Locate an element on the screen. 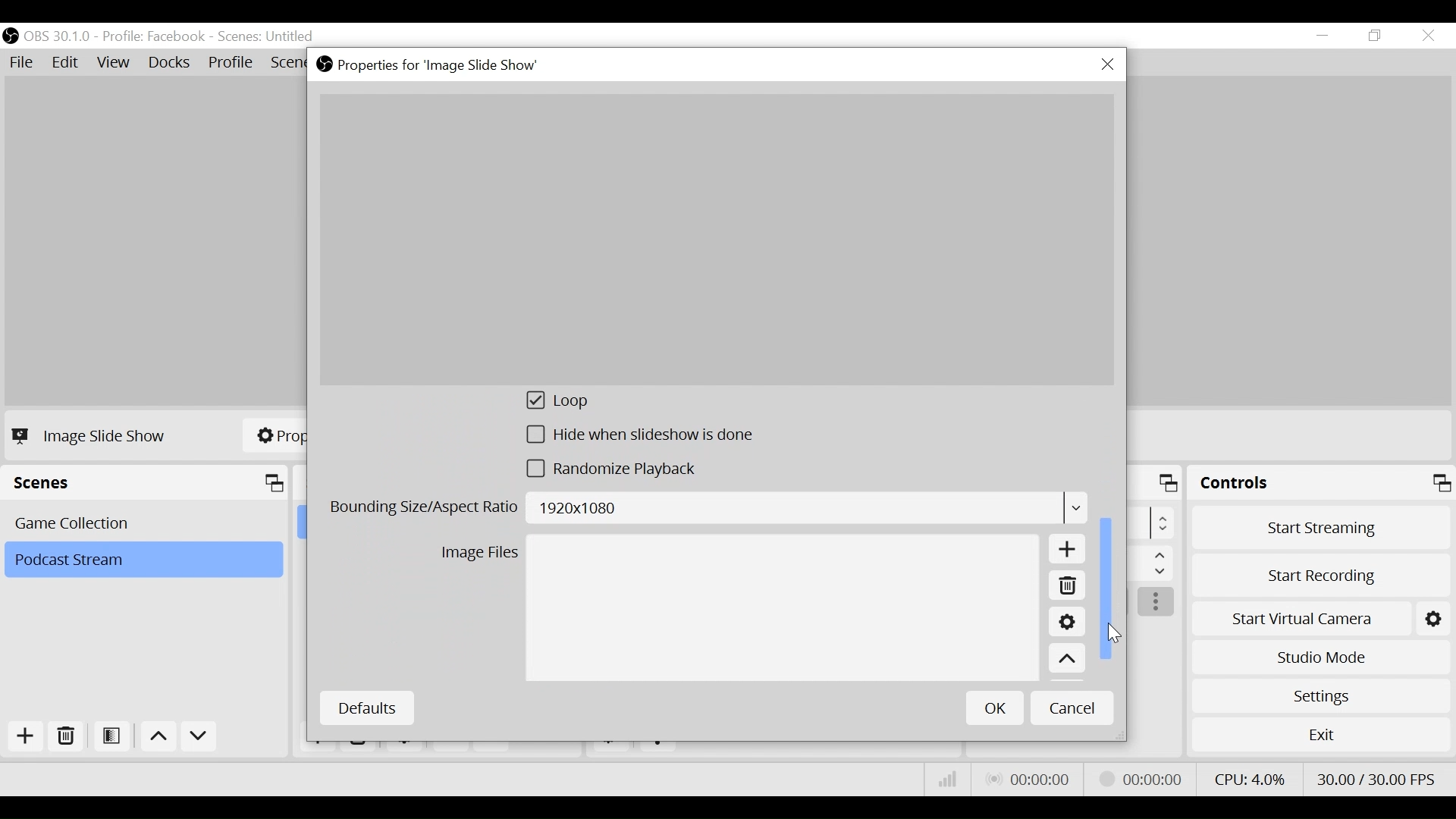 This screenshot has height=819, width=1456. Start Recording is located at coordinates (1323, 571).